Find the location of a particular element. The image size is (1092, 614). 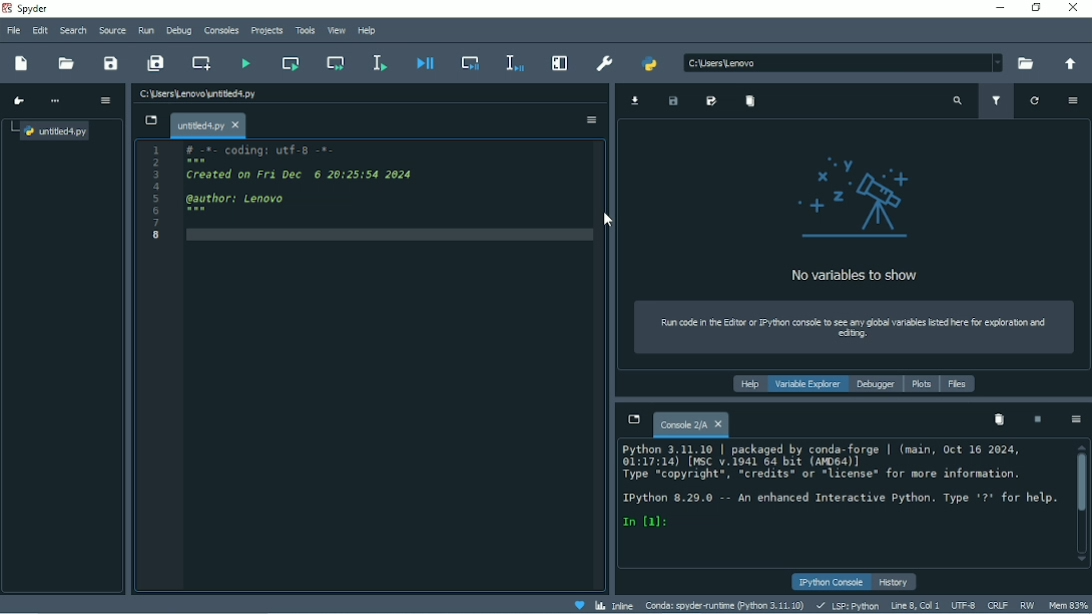

Run code in the editor or IPython console to see any global variables listed here for exploration and editing. is located at coordinates (858, 328).